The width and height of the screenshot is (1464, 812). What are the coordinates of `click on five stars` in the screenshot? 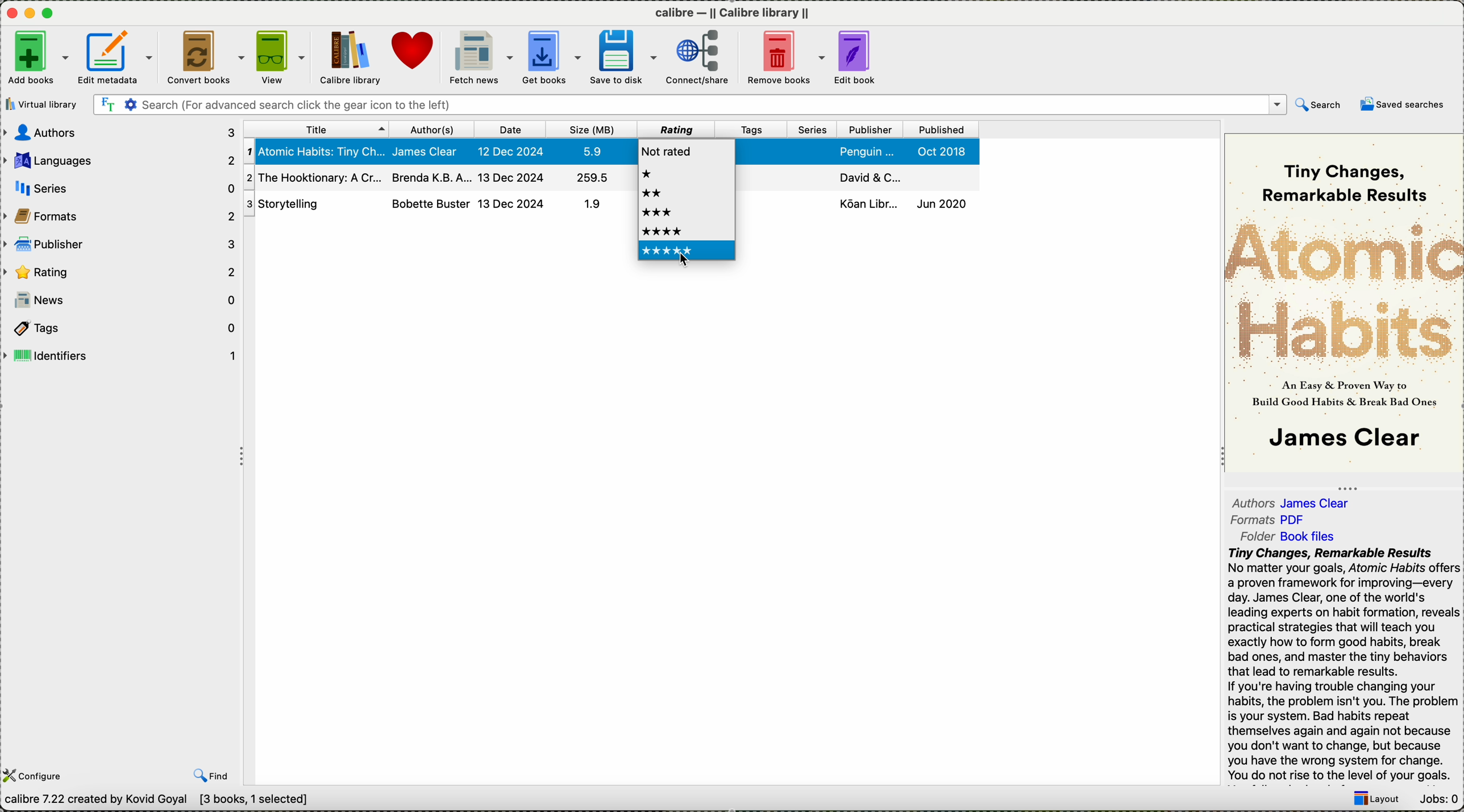 It's located at (687, 254).